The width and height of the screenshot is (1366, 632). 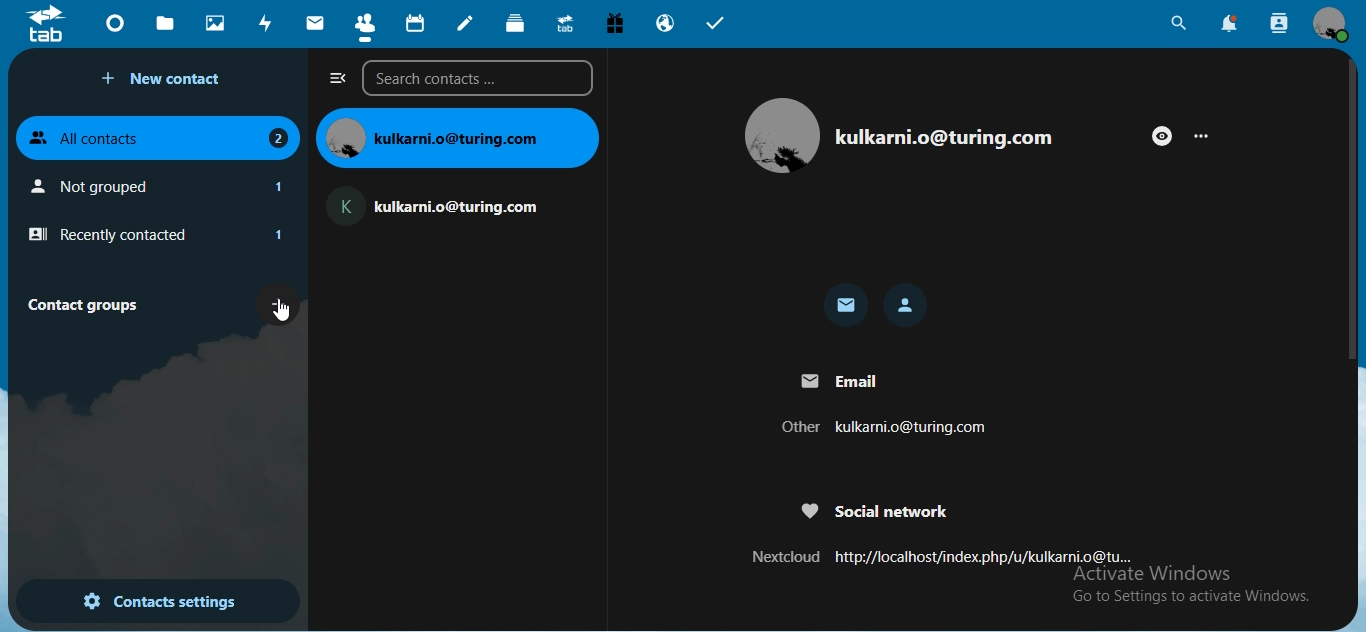 I want to click on photos, so click(x=217, y=22).